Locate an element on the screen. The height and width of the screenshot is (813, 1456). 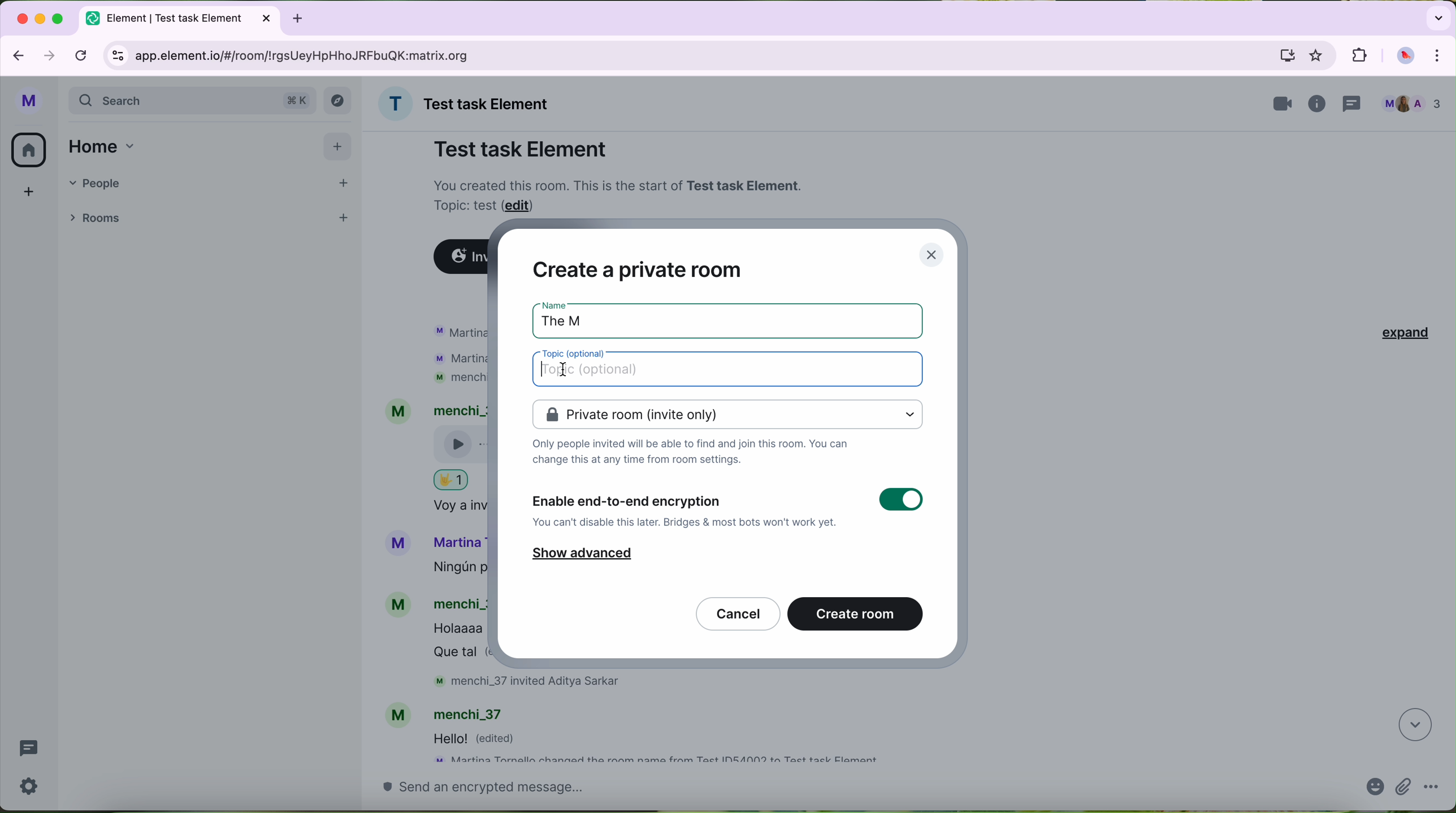
add button is located at coordinates (337, 145).